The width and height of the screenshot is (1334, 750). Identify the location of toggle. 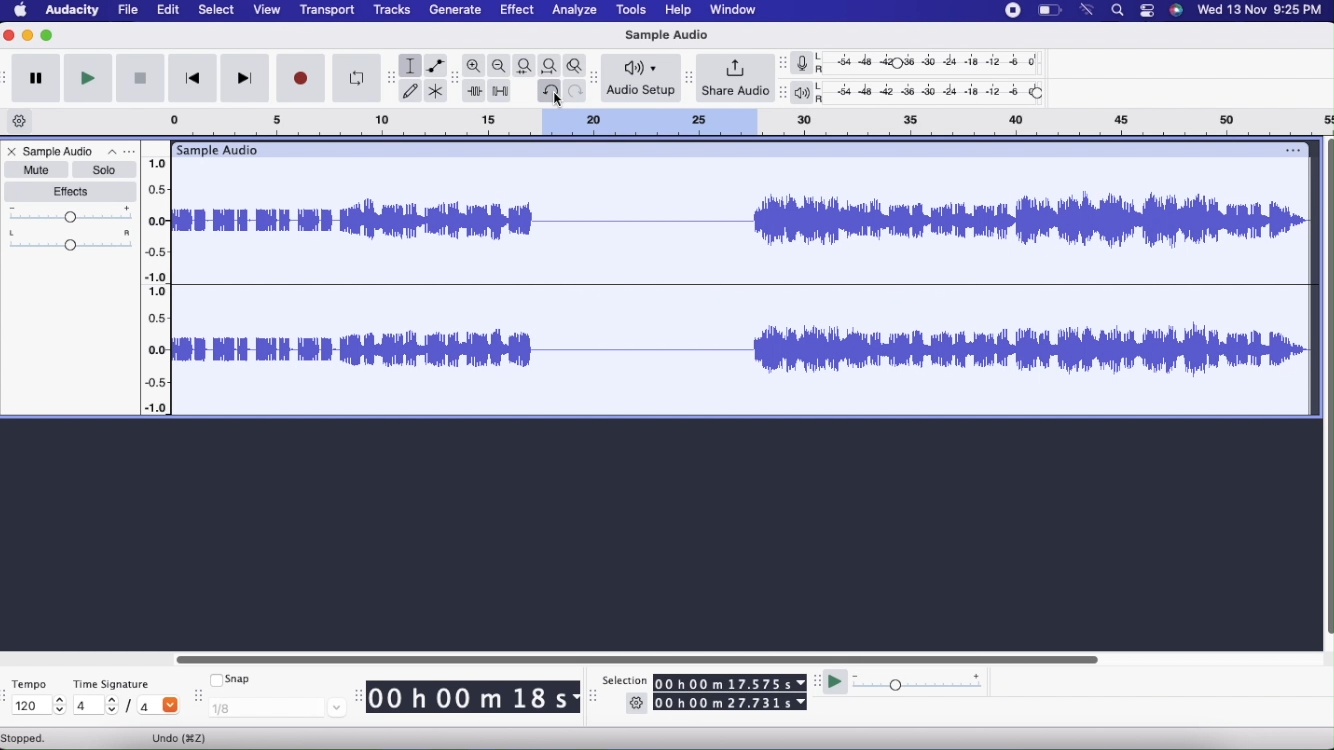
(1145, 11).